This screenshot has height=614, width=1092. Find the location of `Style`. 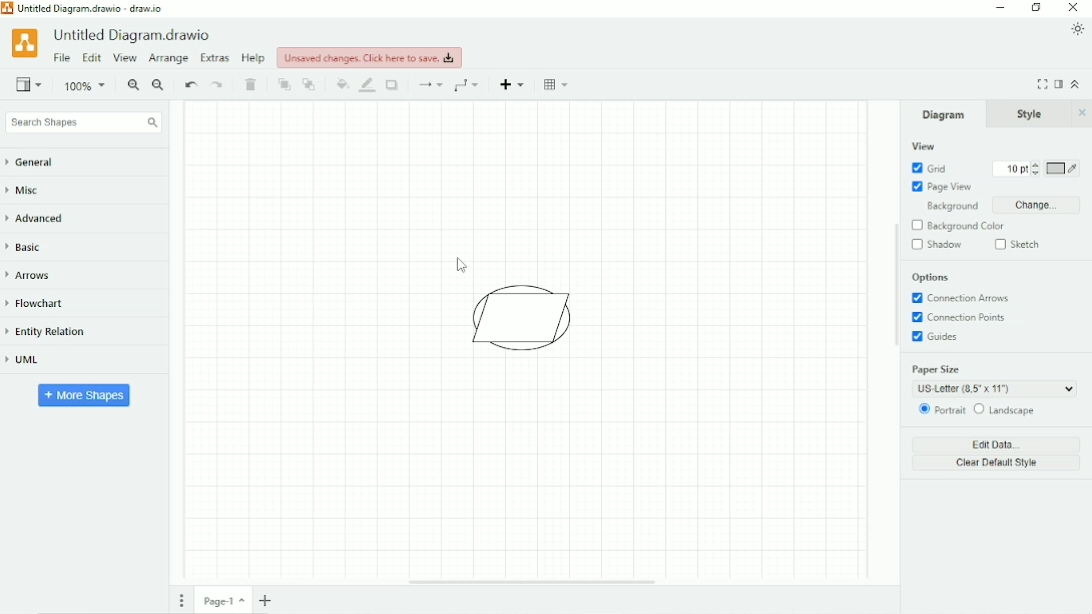

Style is located at coordinates (1032, 114).